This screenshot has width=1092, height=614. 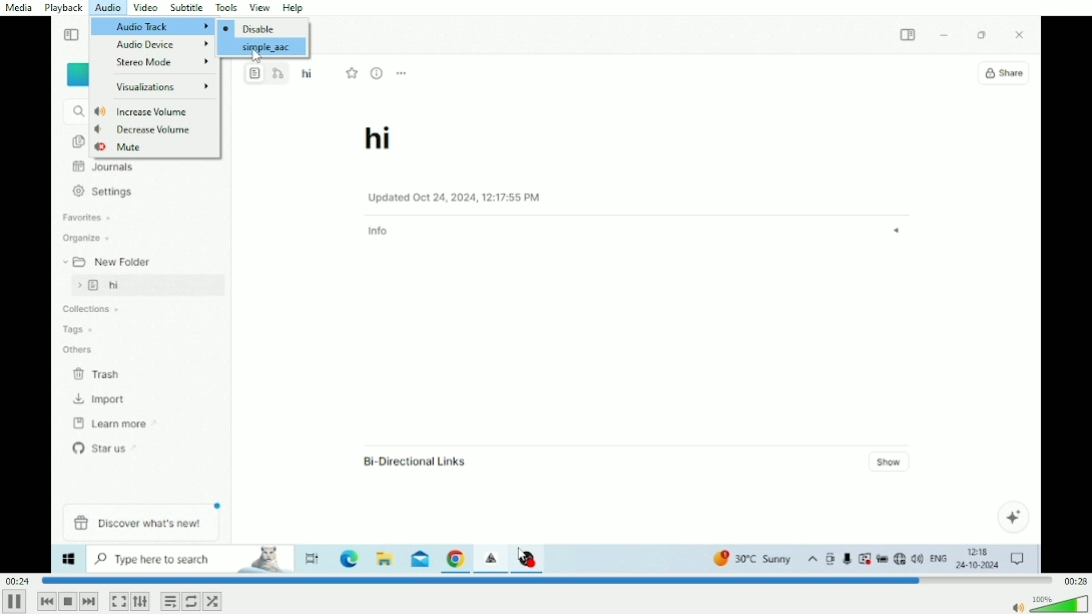 What do you see at coordinates (1049, 603) in the screenshot?
I see `Volume` at bounding box center [1049, 603].